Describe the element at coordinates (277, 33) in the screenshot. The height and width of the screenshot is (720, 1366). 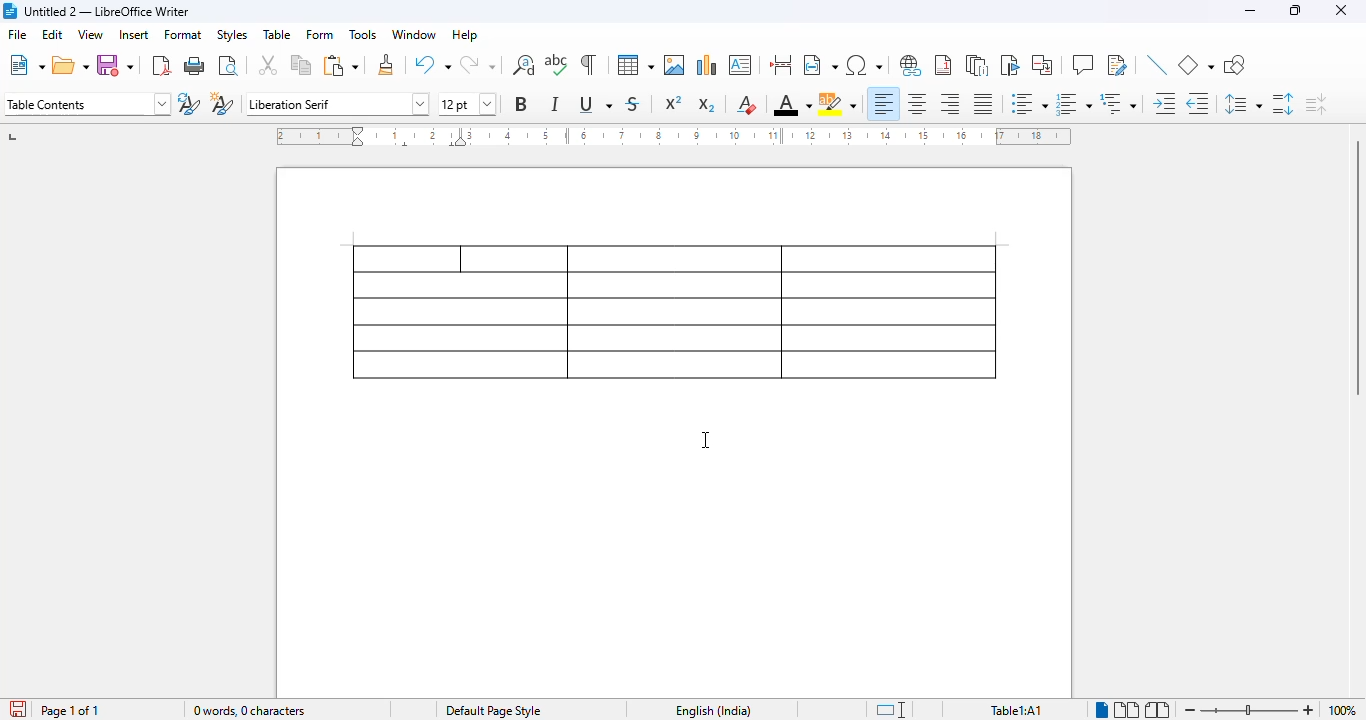
I see `table` at that location.